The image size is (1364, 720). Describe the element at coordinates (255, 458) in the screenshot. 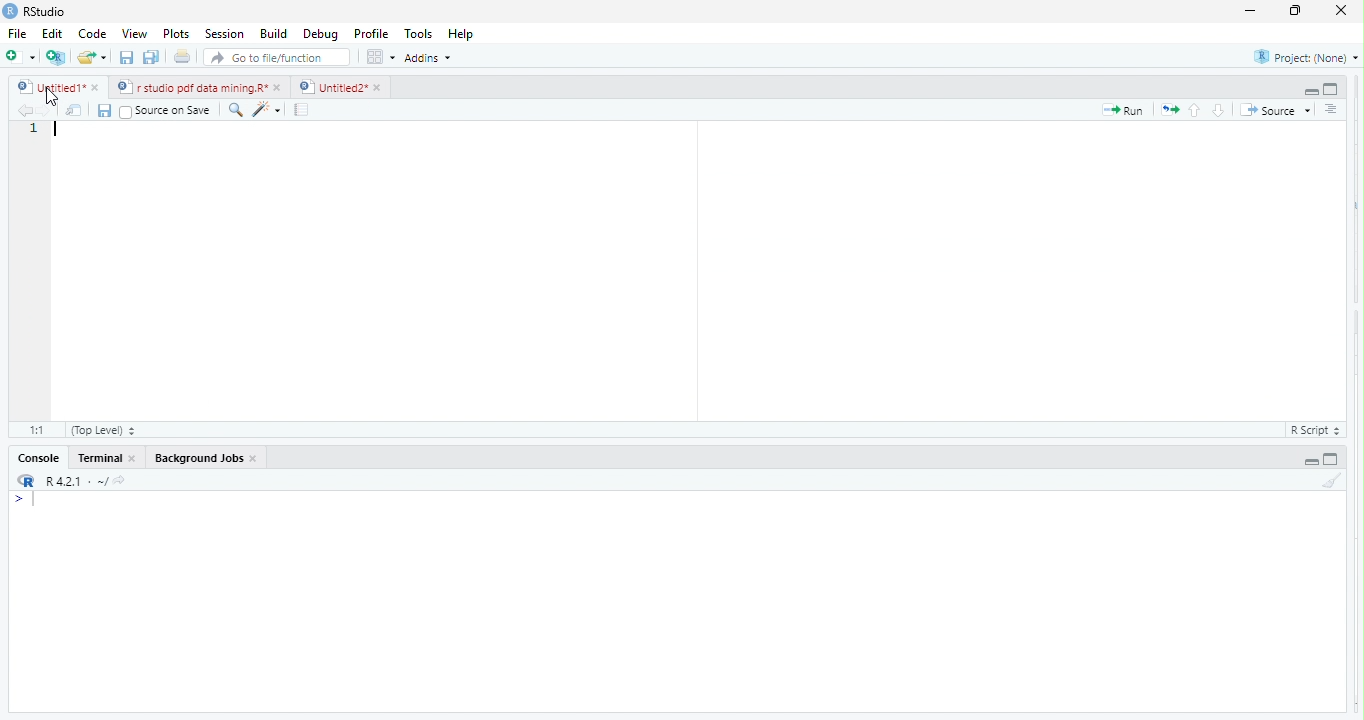

I see `close` at that location.